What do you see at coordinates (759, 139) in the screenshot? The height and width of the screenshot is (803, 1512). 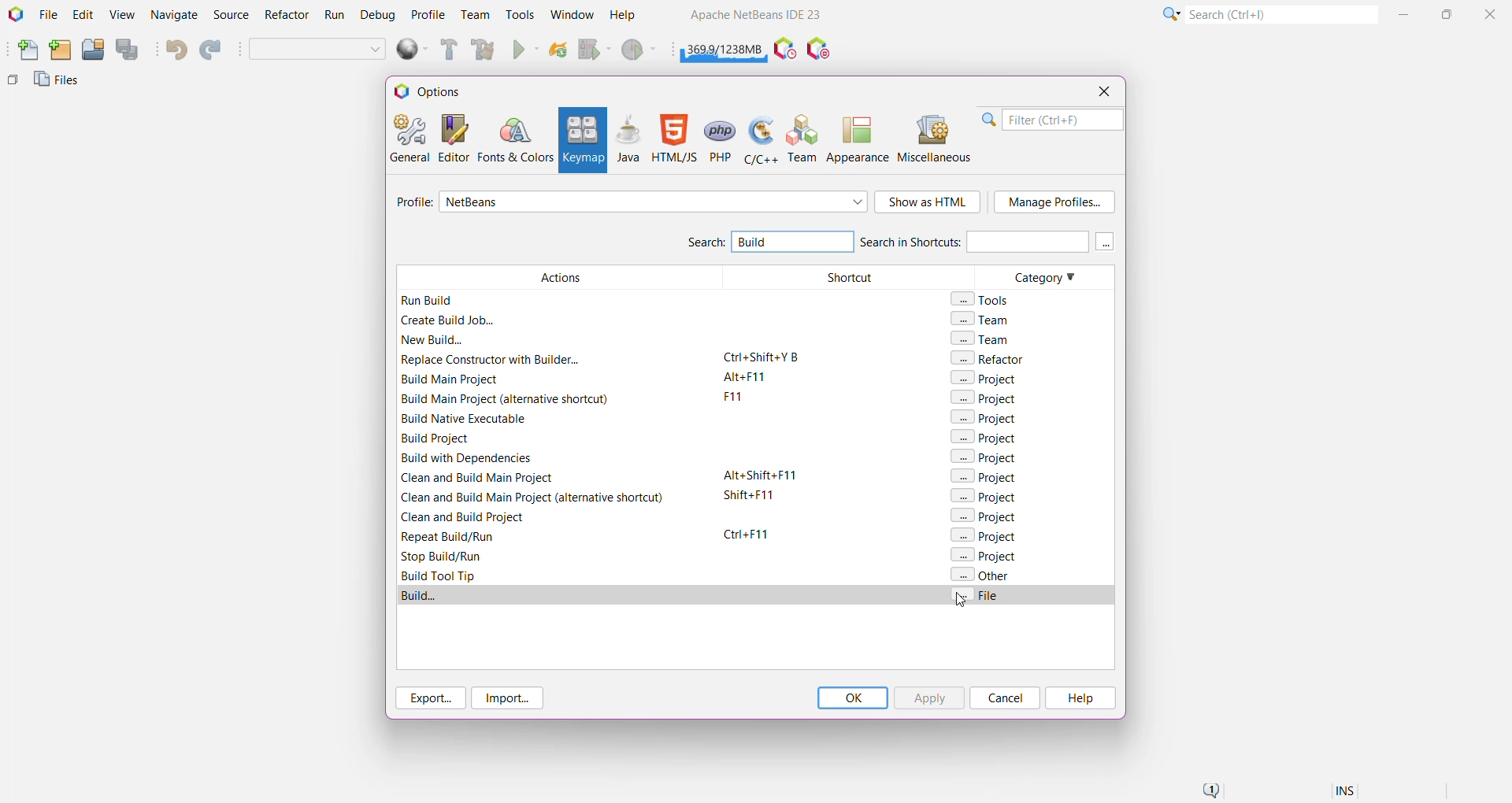 I see `C/C++` at bounding box center [759, 139].